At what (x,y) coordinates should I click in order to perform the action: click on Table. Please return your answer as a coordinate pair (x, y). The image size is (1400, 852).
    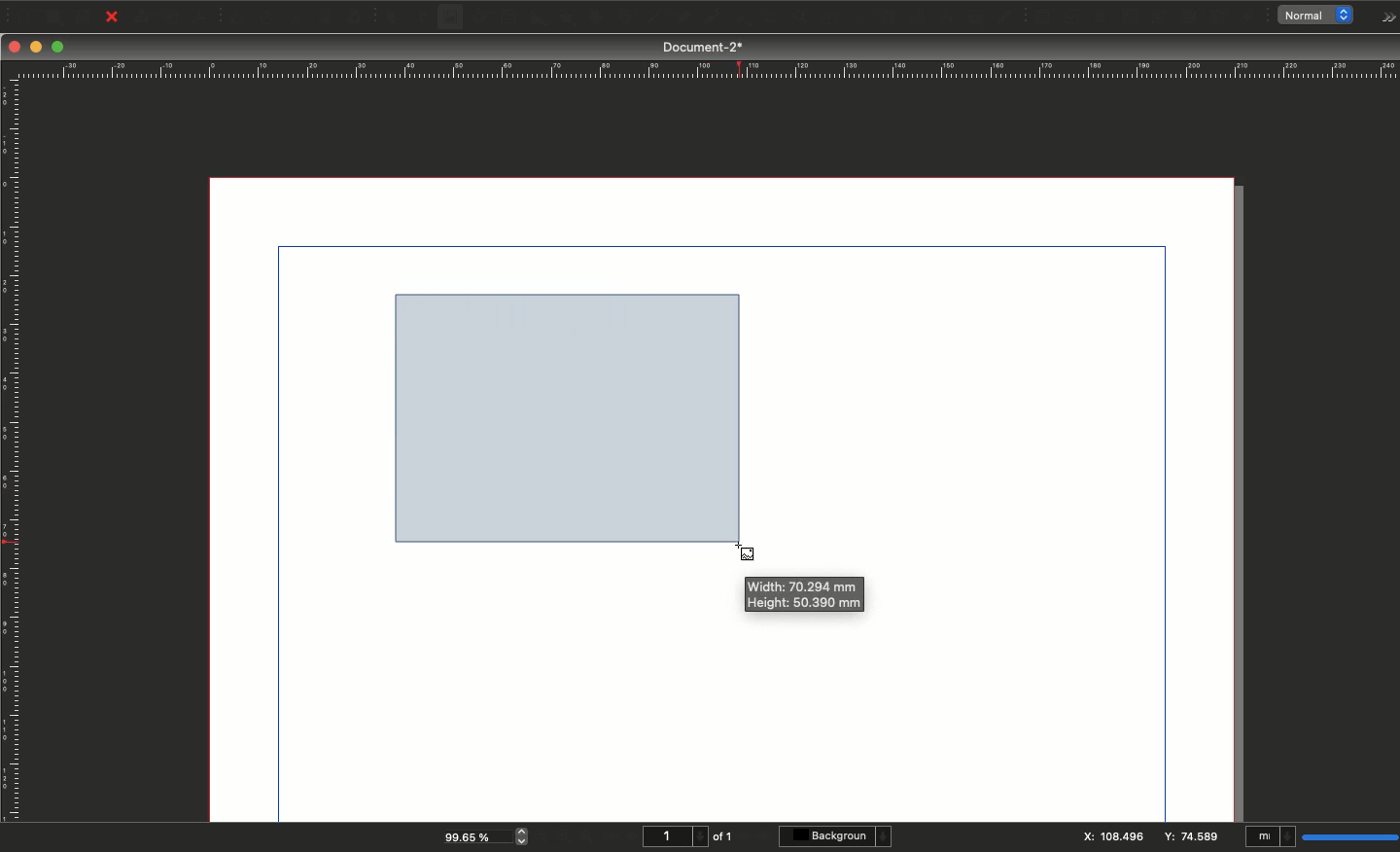
    Looking at the image, I should click on (507, 18).